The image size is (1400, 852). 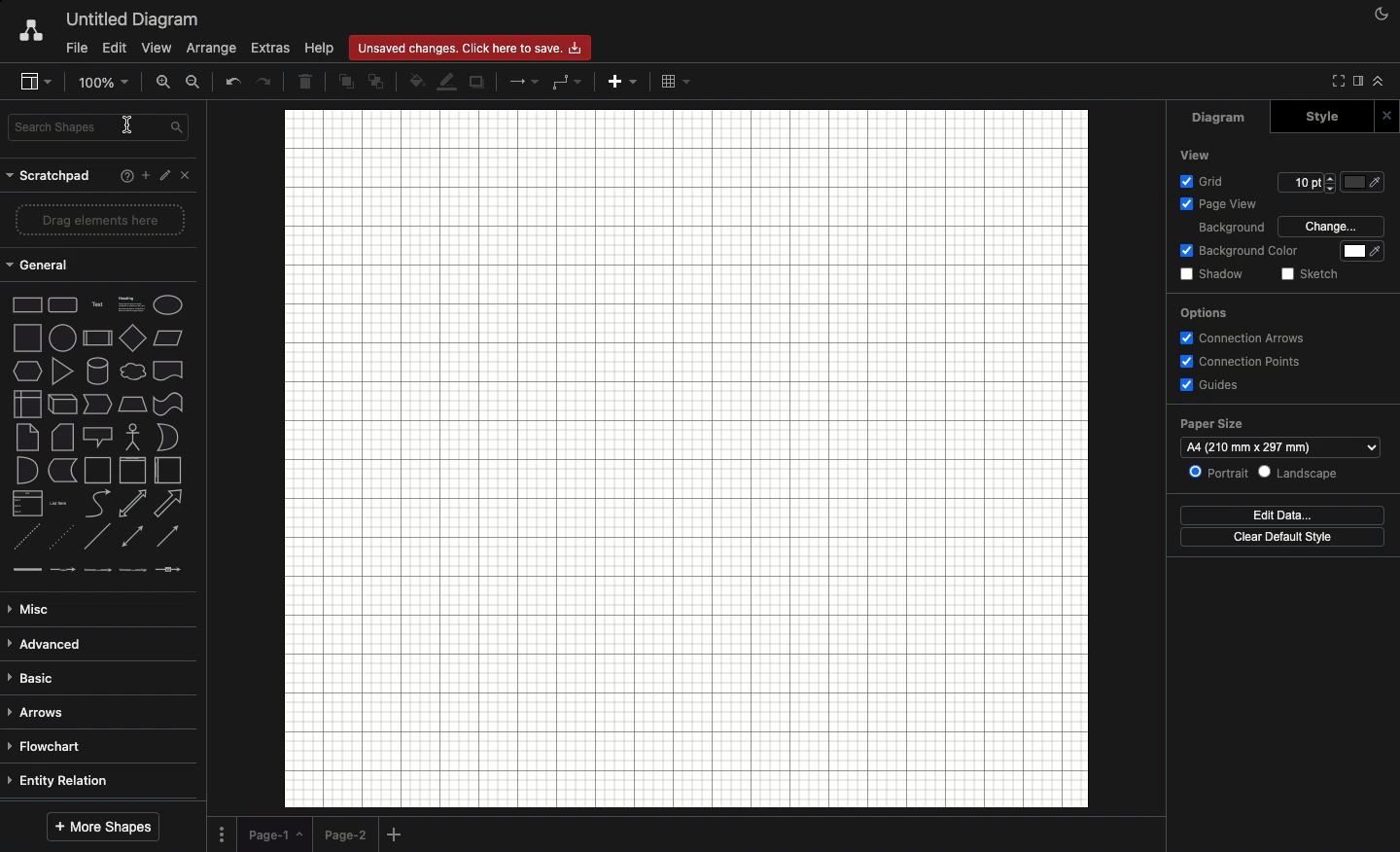 What do you see at coordinates (1379, 81) in the screenshot?
I see `Collapse` at bounding box center [1379, 81].